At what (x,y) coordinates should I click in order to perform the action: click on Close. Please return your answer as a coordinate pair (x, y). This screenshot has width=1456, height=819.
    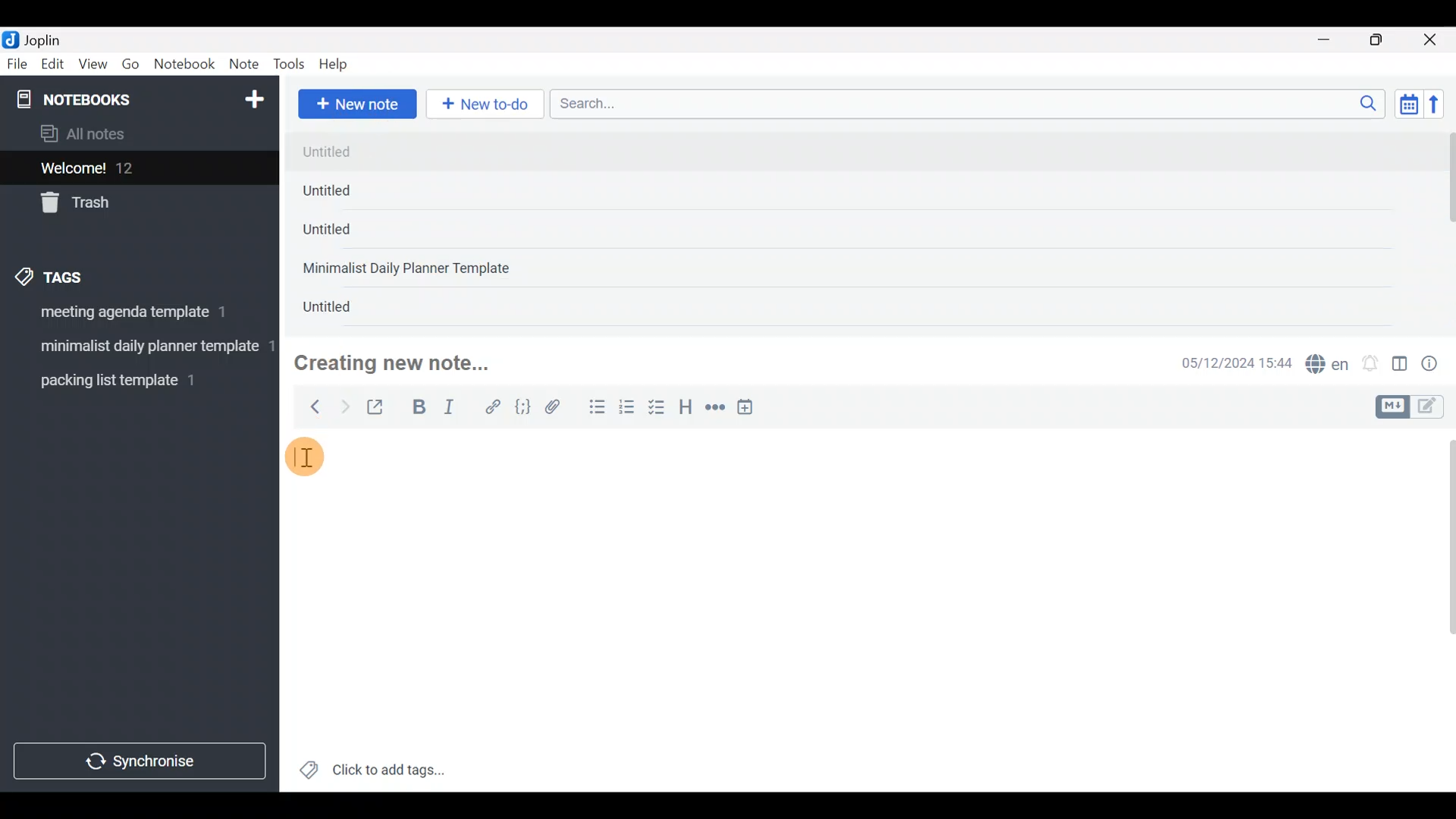
    Looking at the image, I should click on (1432, 41).